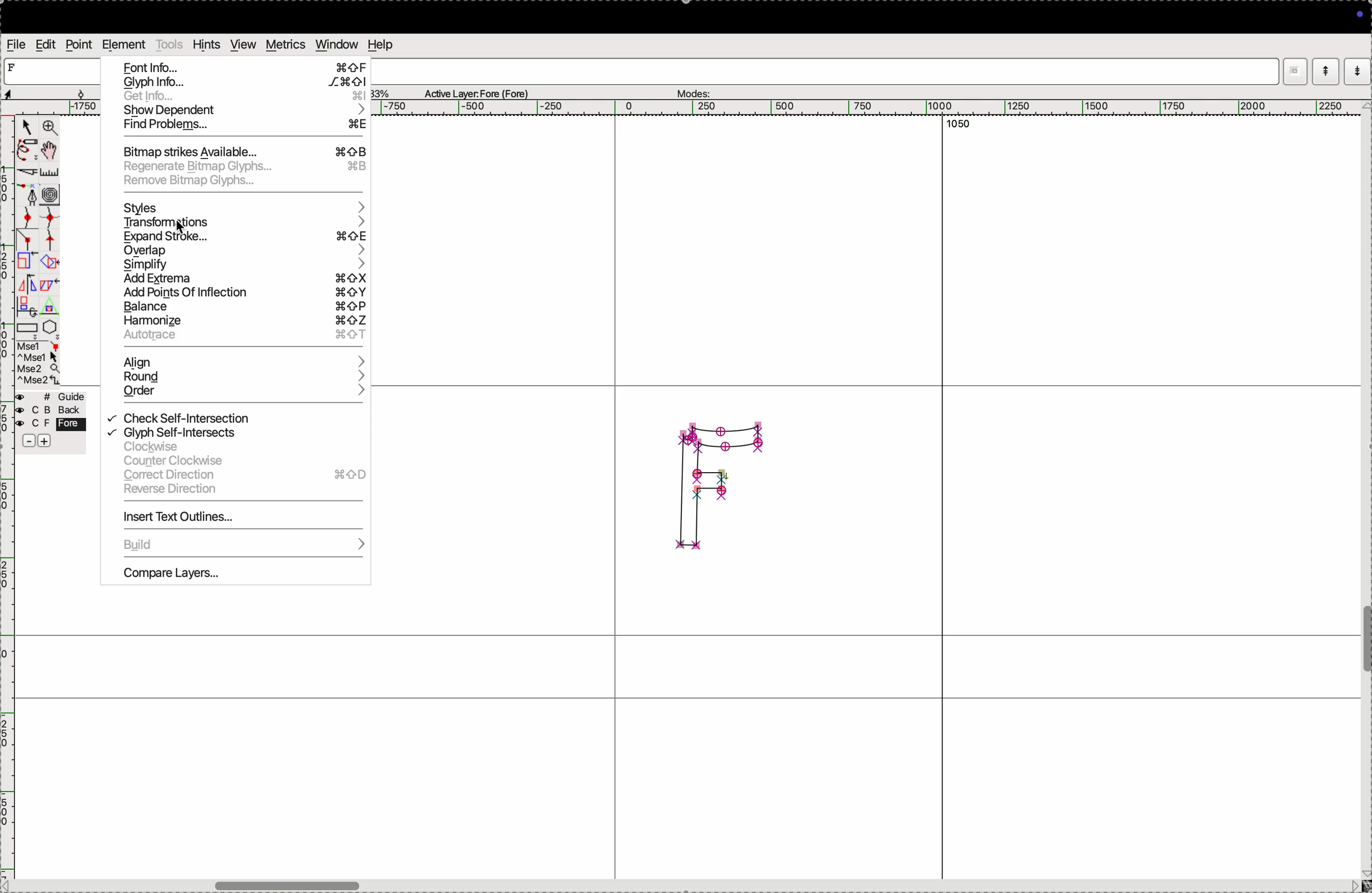  What do you see at coordinates (1358, 70) in the screenshot?
I see `mode down` at bounding box center [1358, 70].